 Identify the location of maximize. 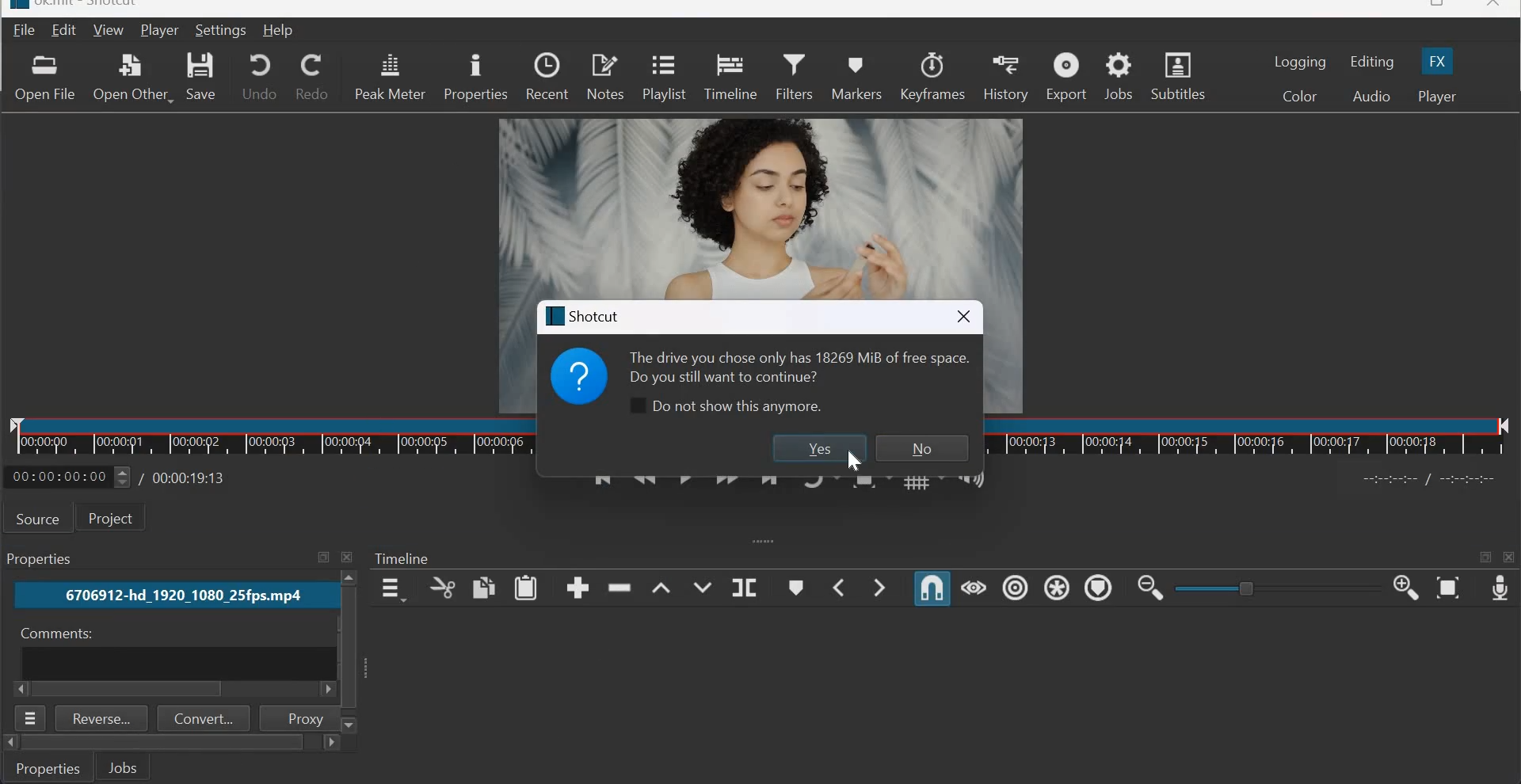
(1485, 559).